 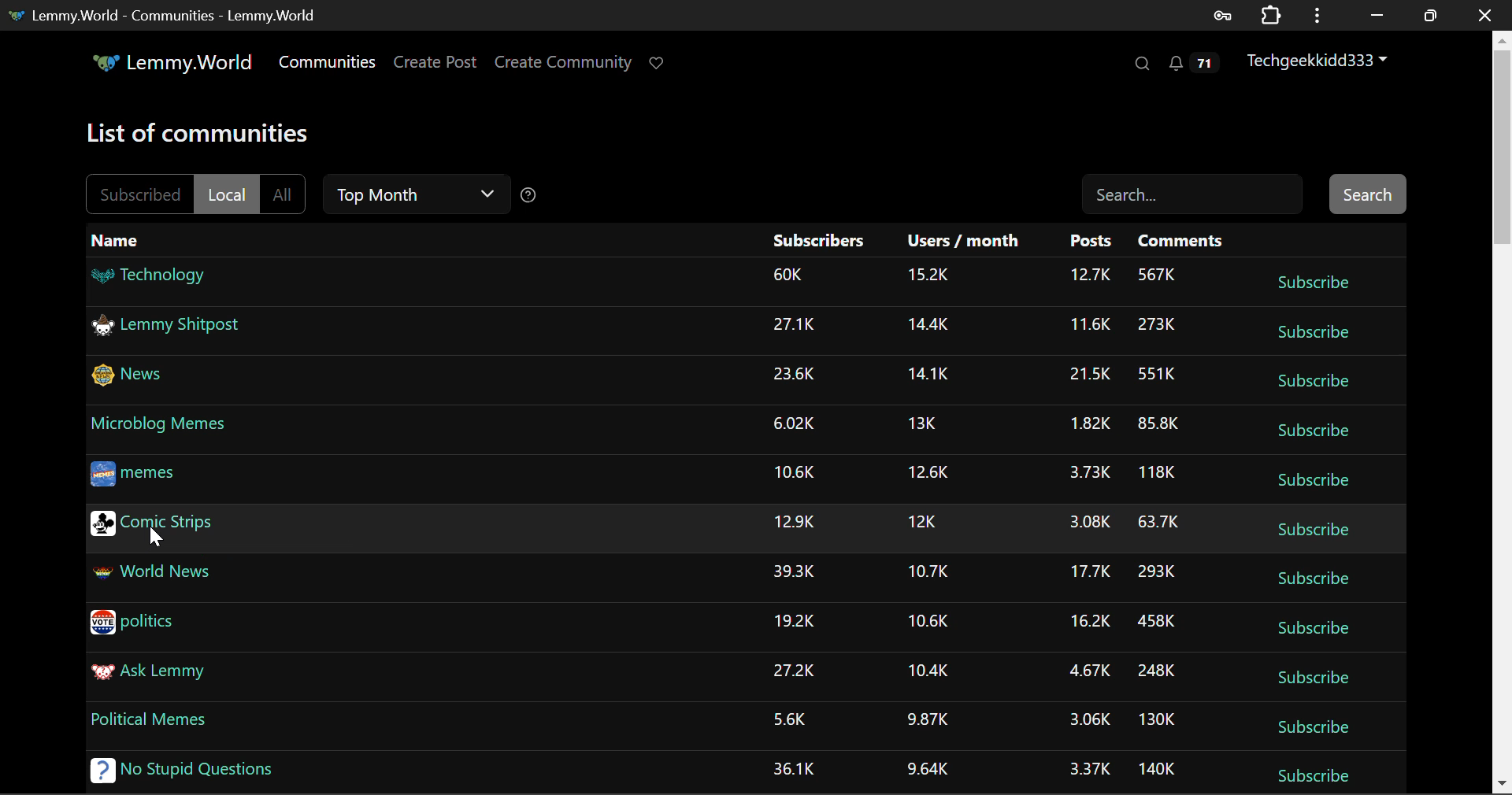 What do you see at coordinates (923, 422) in the screenshot?
I see `13K` at bounding box center [923, 422].